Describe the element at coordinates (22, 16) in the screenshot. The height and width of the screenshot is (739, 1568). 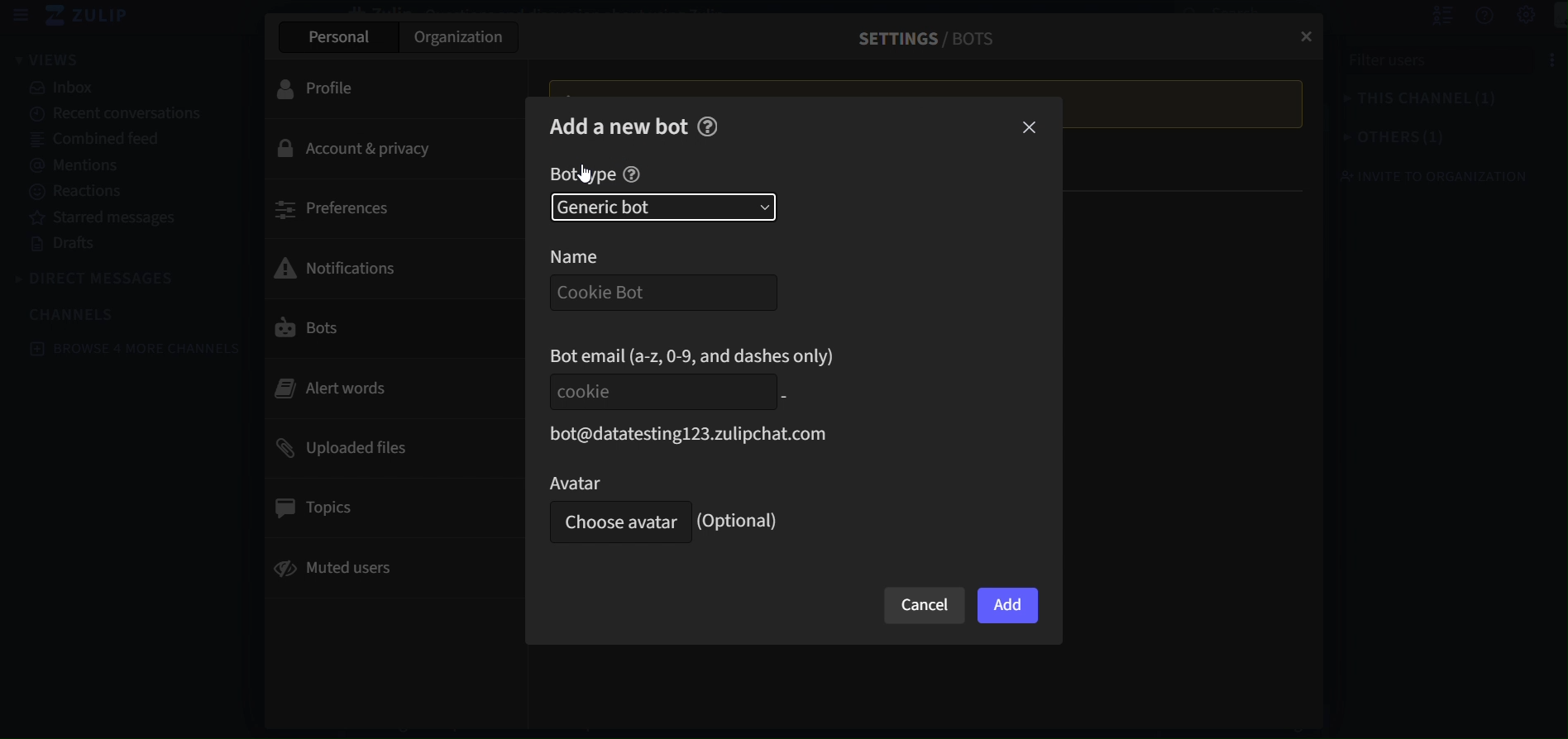
I see `hide sidebar` at that location.